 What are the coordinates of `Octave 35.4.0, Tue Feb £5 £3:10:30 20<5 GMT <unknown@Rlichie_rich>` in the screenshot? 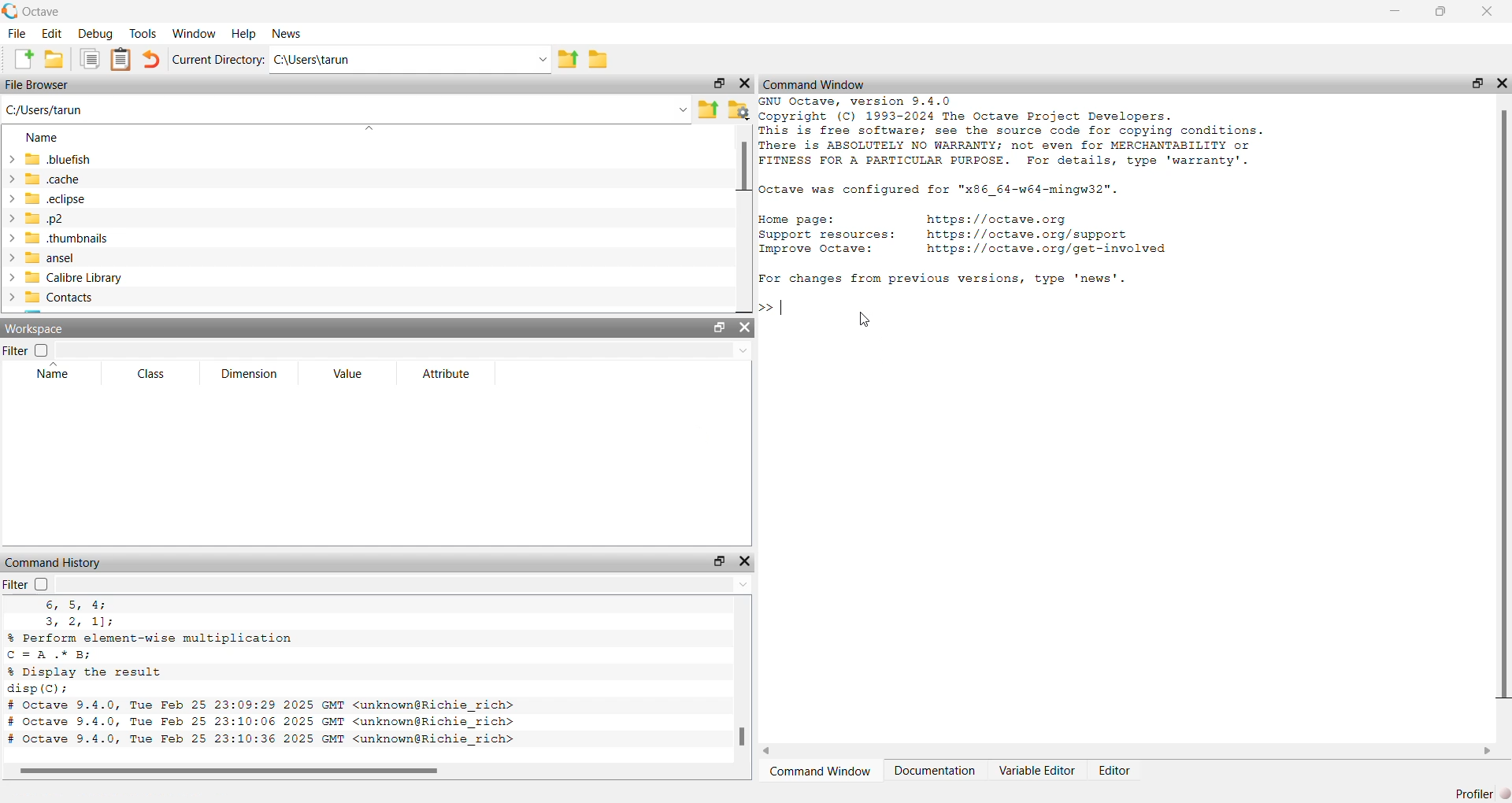 It's located at (261, 740).